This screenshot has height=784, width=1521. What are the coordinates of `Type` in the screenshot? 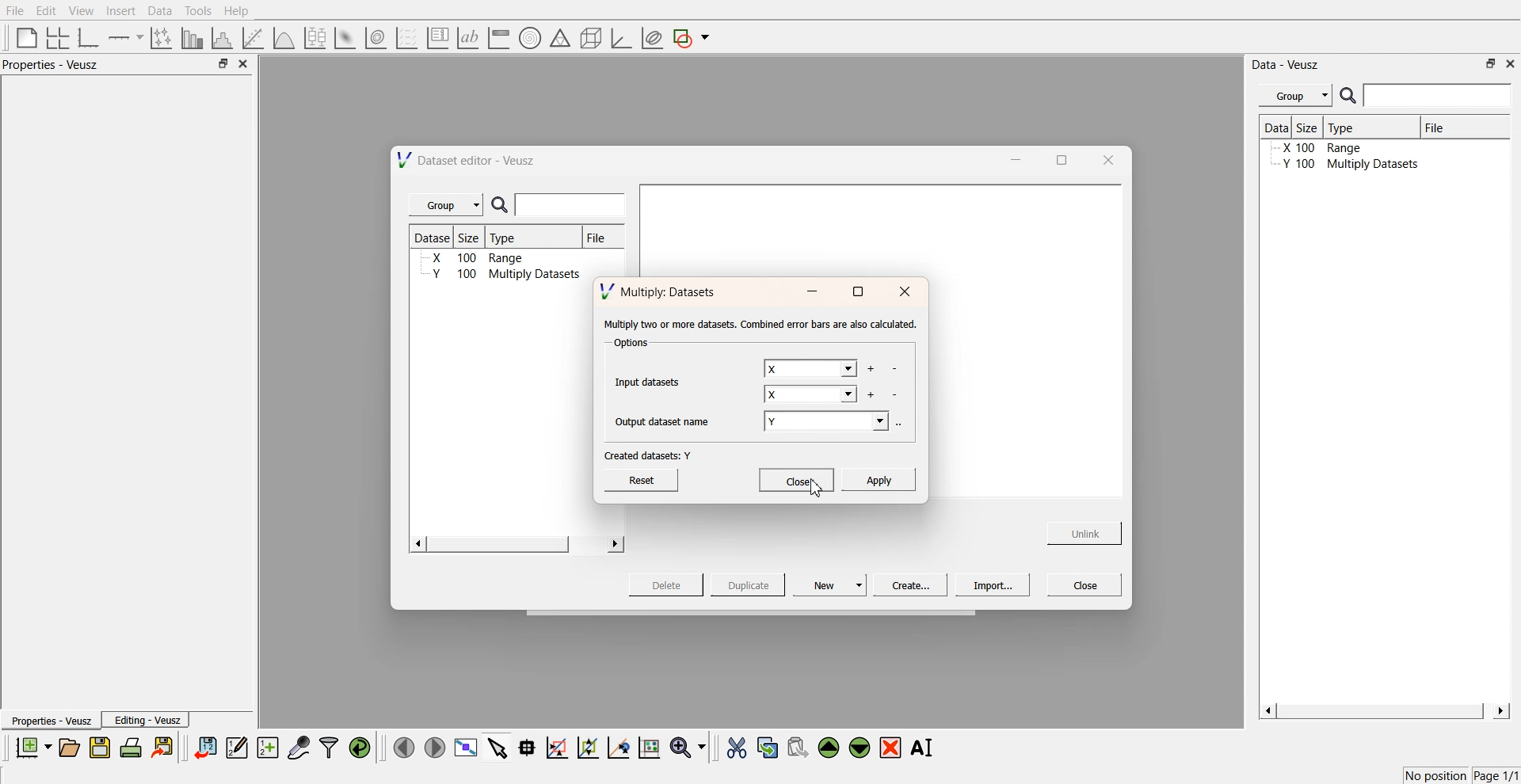 It's located at (1369, 127).